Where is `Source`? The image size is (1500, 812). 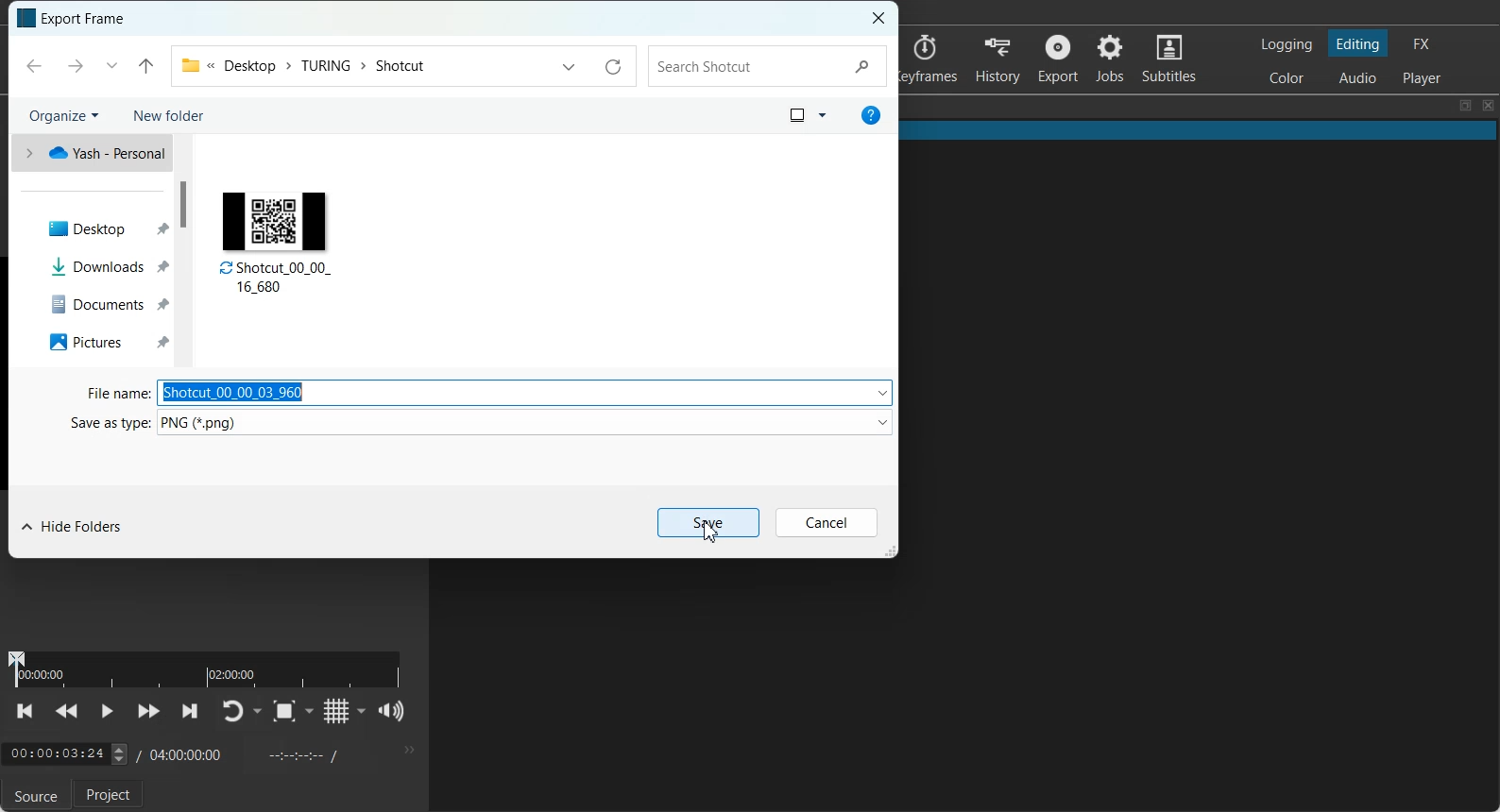
Source is located at coordinates (32, 796).